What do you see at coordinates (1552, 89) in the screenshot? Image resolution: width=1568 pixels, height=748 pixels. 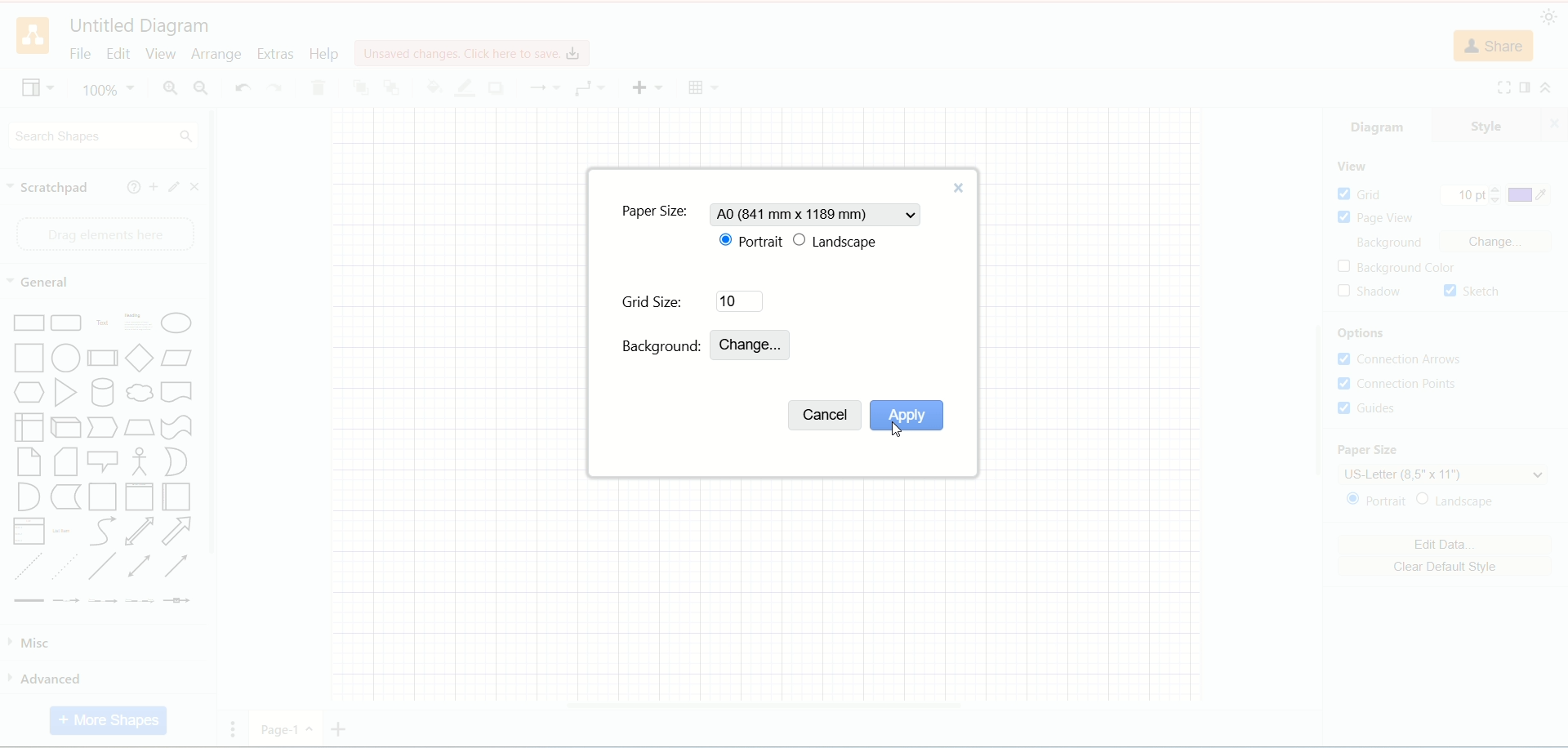 I see `collapse/expand` at bounding box center [1552, 89].